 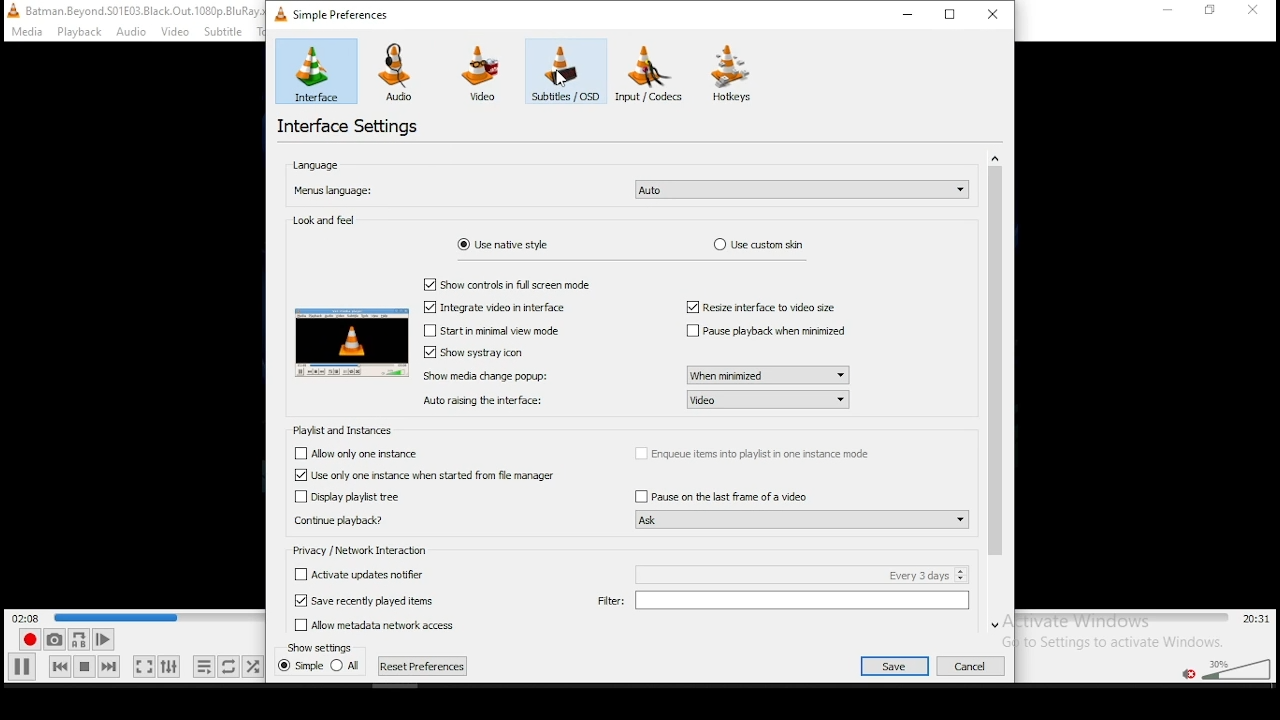 I want to click on look and feel, so click(x=326, y=221).